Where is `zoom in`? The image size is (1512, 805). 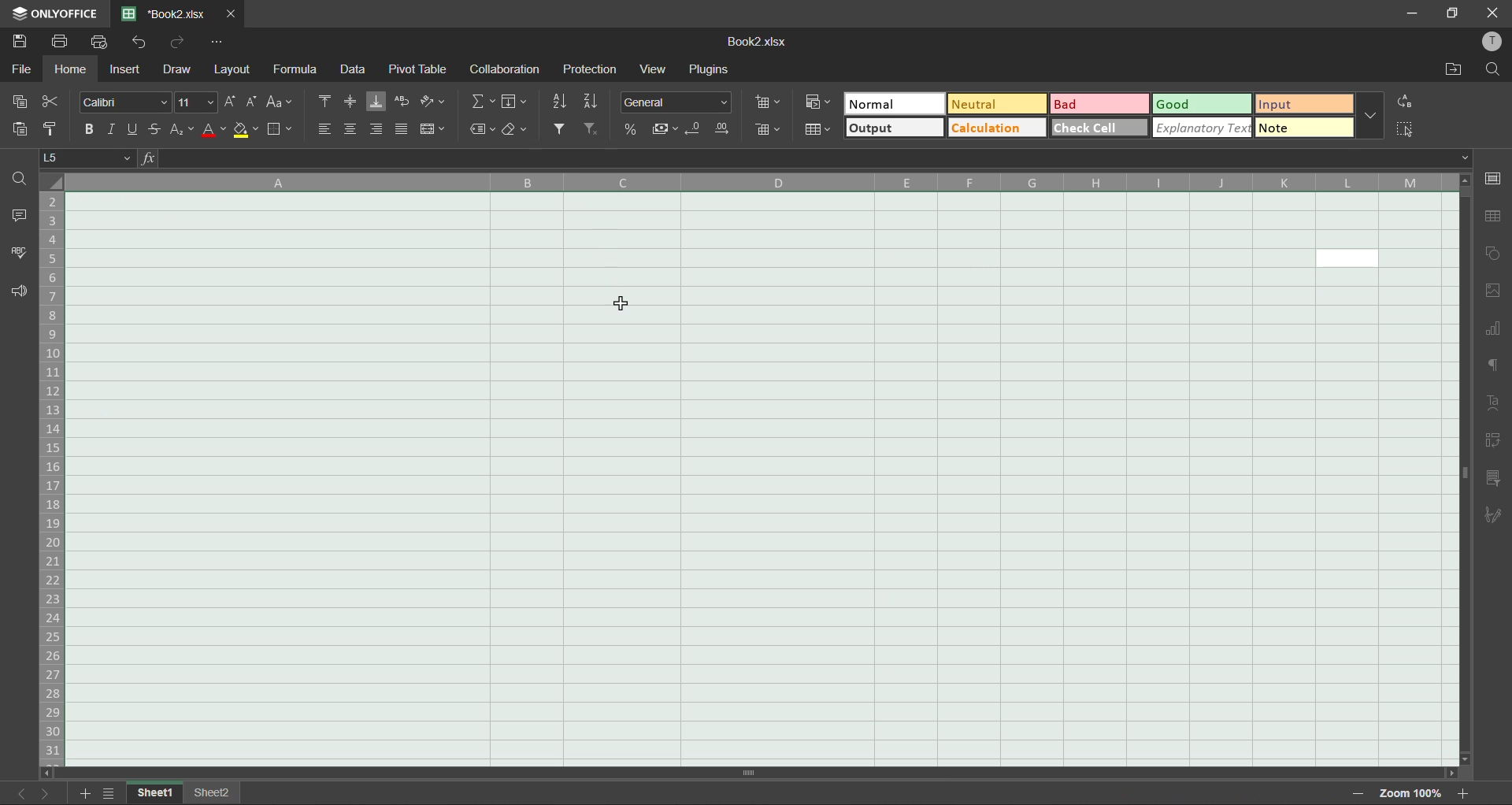
zoom in is located at coordinates (1466, 791).